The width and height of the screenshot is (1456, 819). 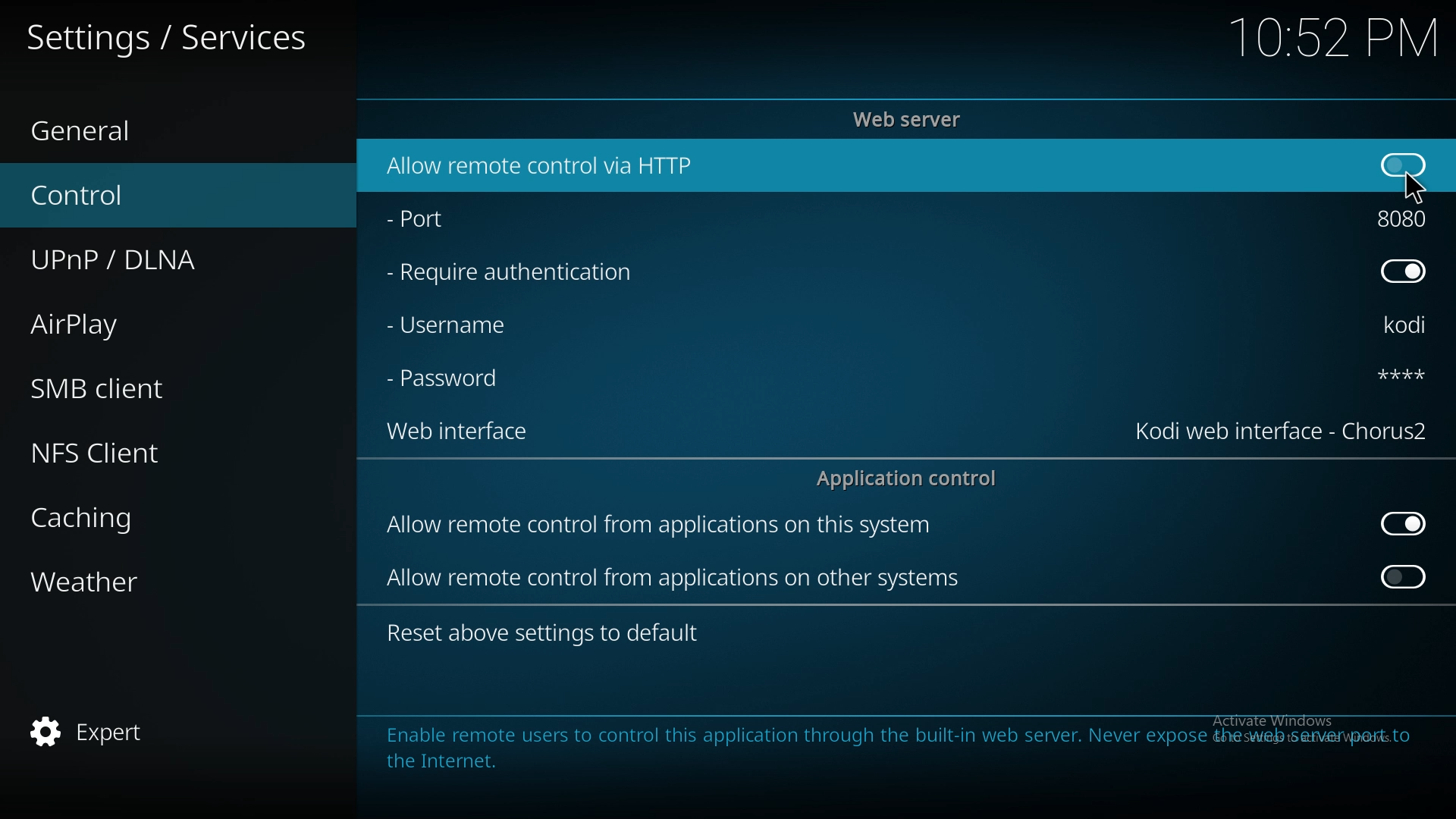 I want to click on services, so click(x=168, y=34).